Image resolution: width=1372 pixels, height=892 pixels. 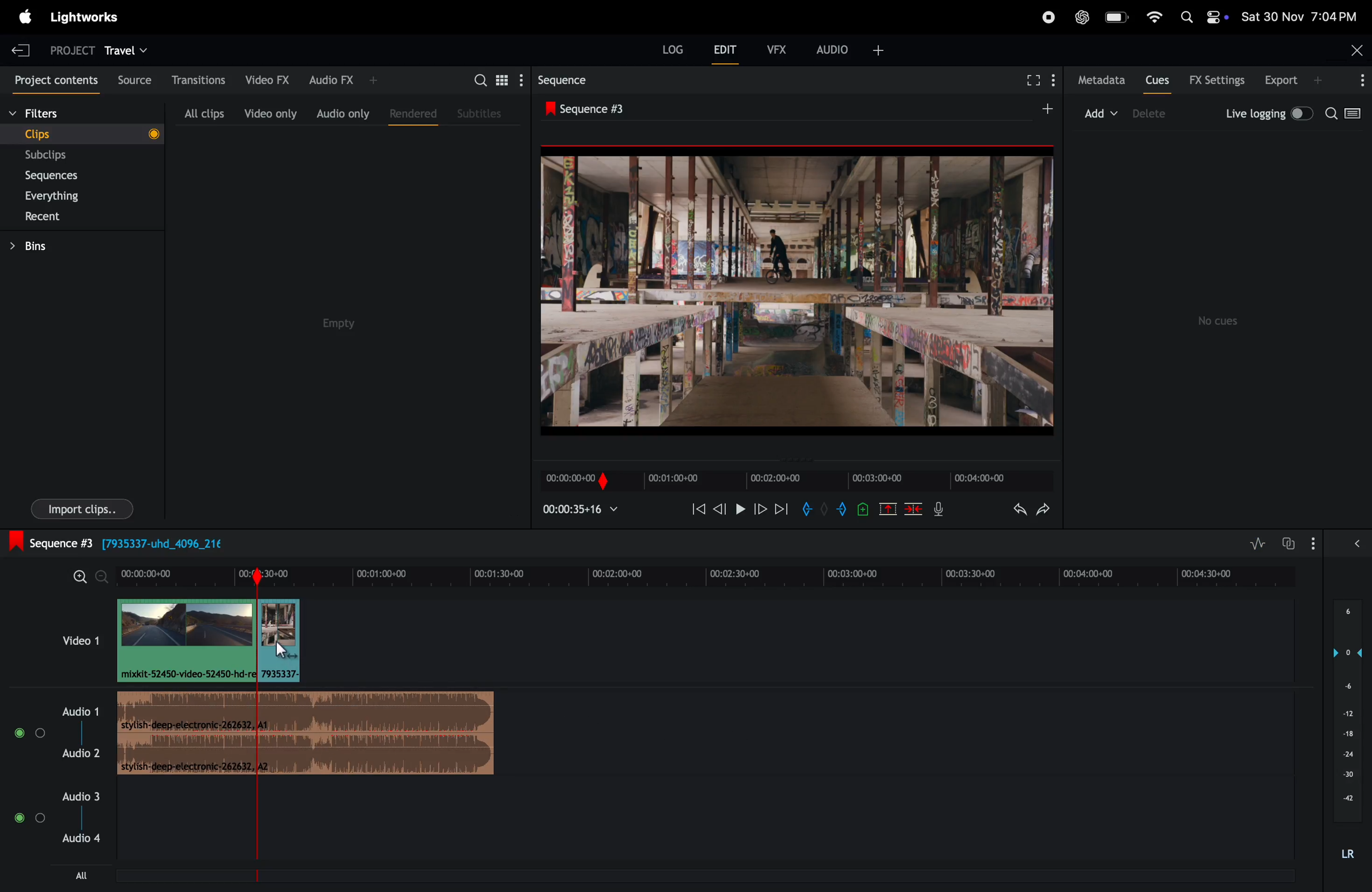 What do you see at coordinates (270, 111) in the screenshot?
I see `videos only` at bounding box center [270, 111].